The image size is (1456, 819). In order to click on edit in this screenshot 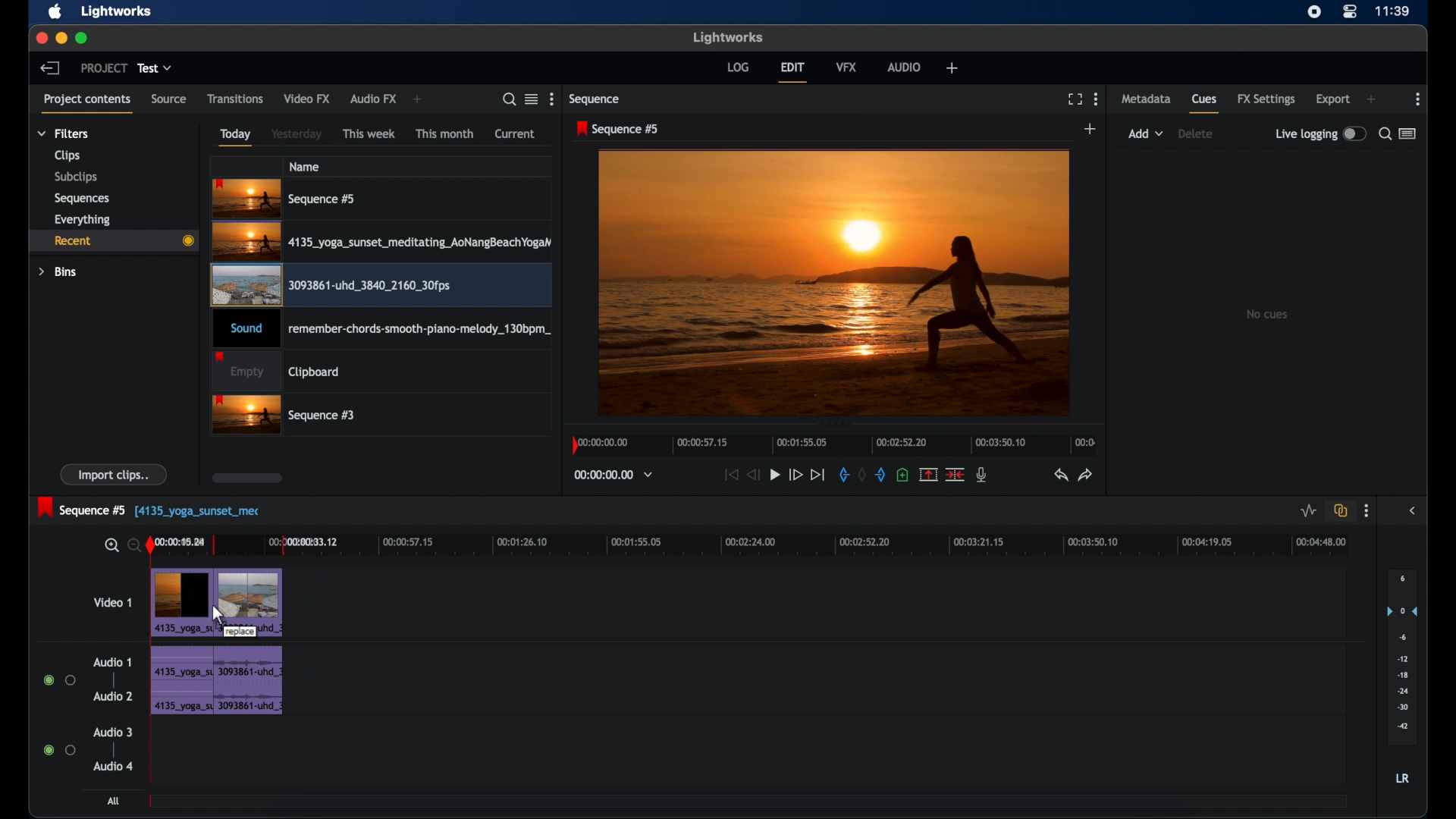, I will do `click(792, 71)`.